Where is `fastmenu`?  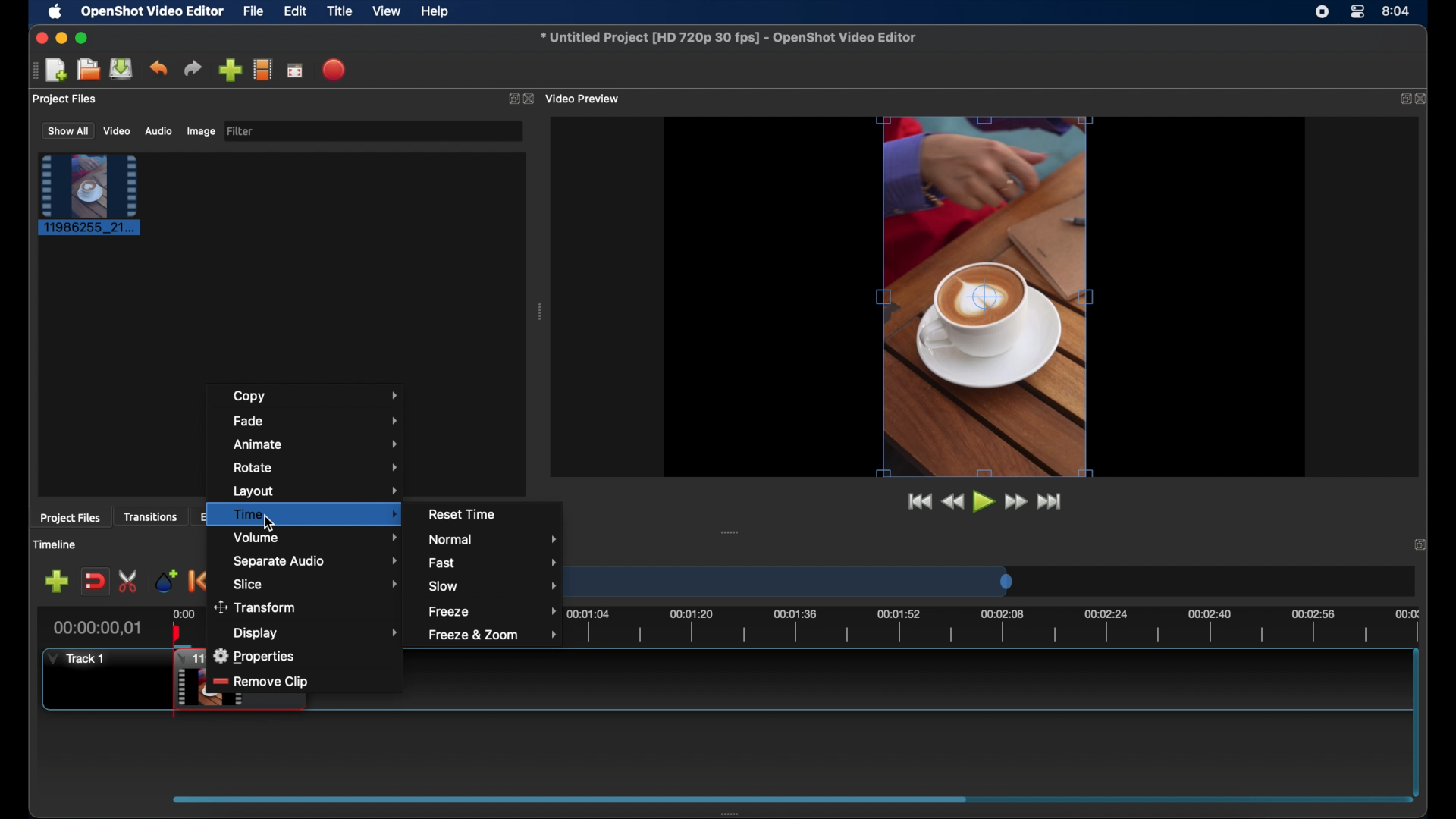 fastmenu is located at coordinates (493, 563).